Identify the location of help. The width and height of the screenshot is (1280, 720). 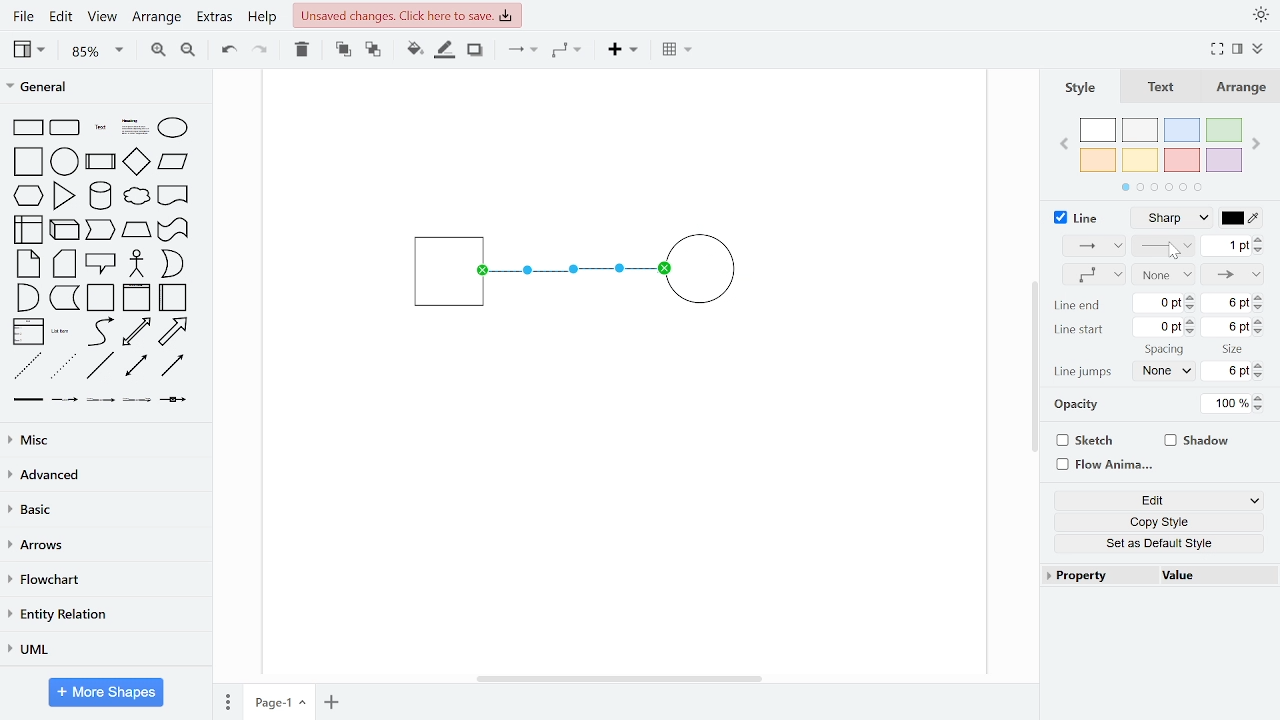
(262, 18).